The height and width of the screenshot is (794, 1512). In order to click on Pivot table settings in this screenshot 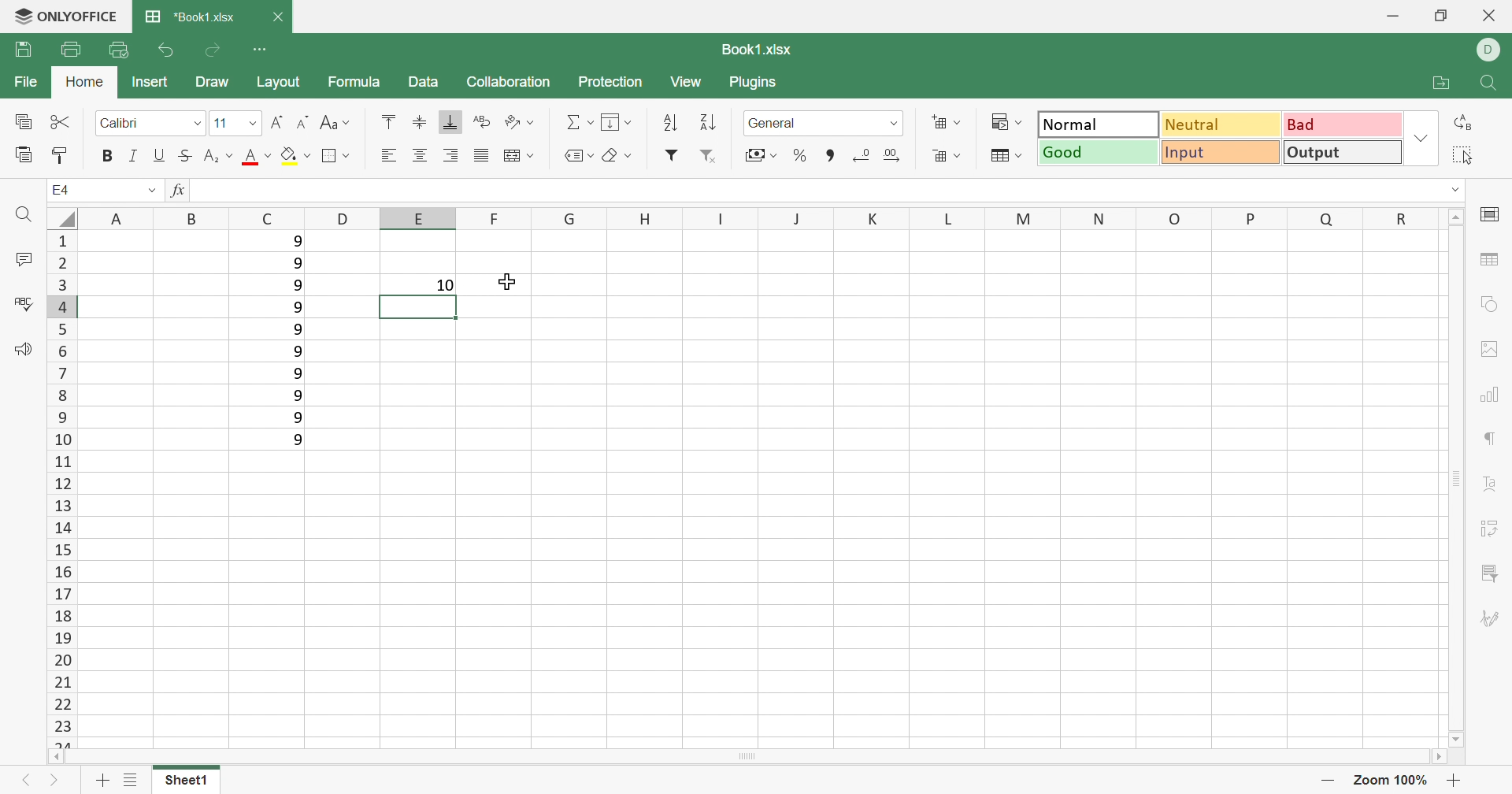, I will do `click(1490, 530)`.